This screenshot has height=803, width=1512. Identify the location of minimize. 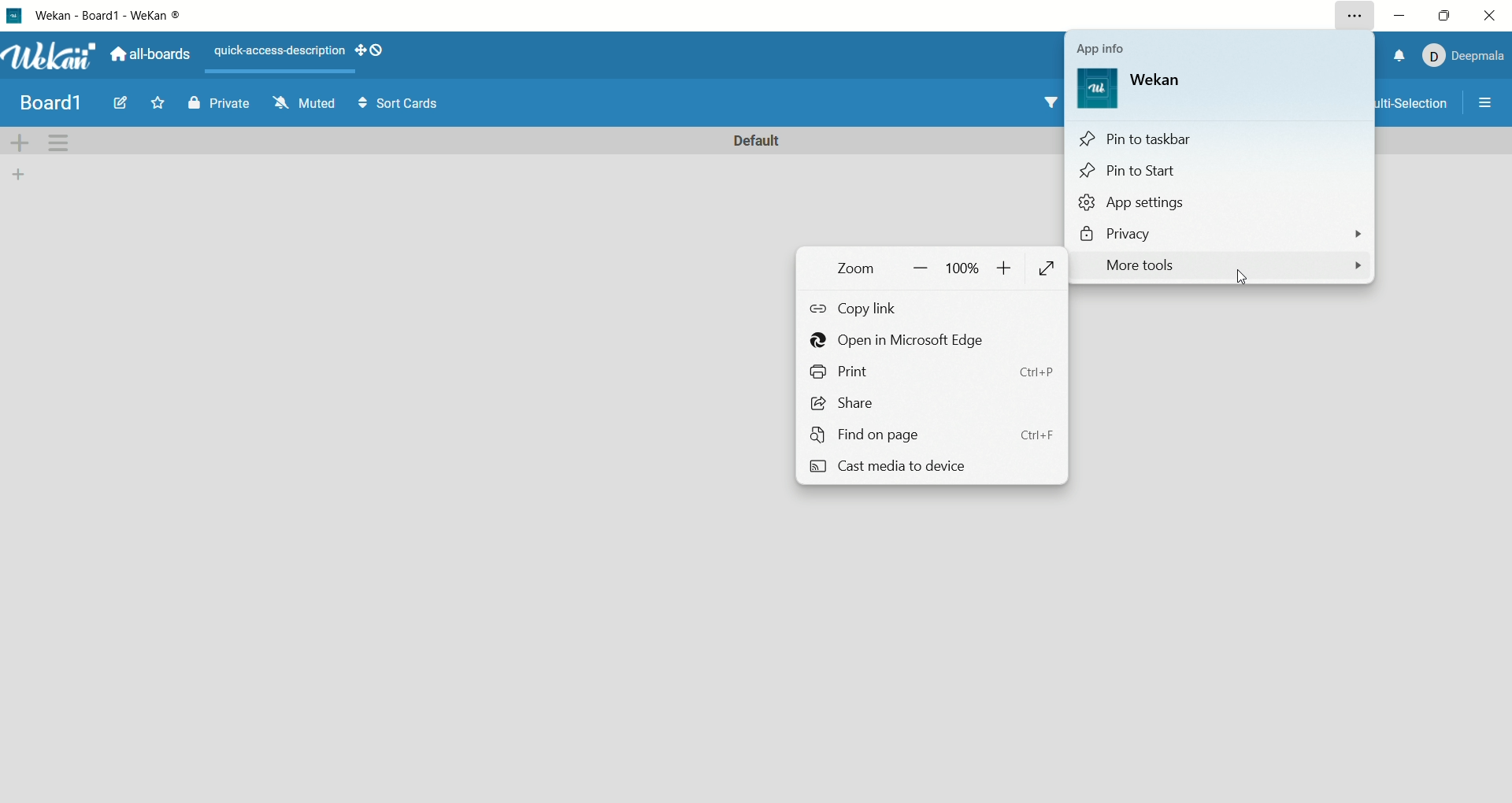
(1402, 15).